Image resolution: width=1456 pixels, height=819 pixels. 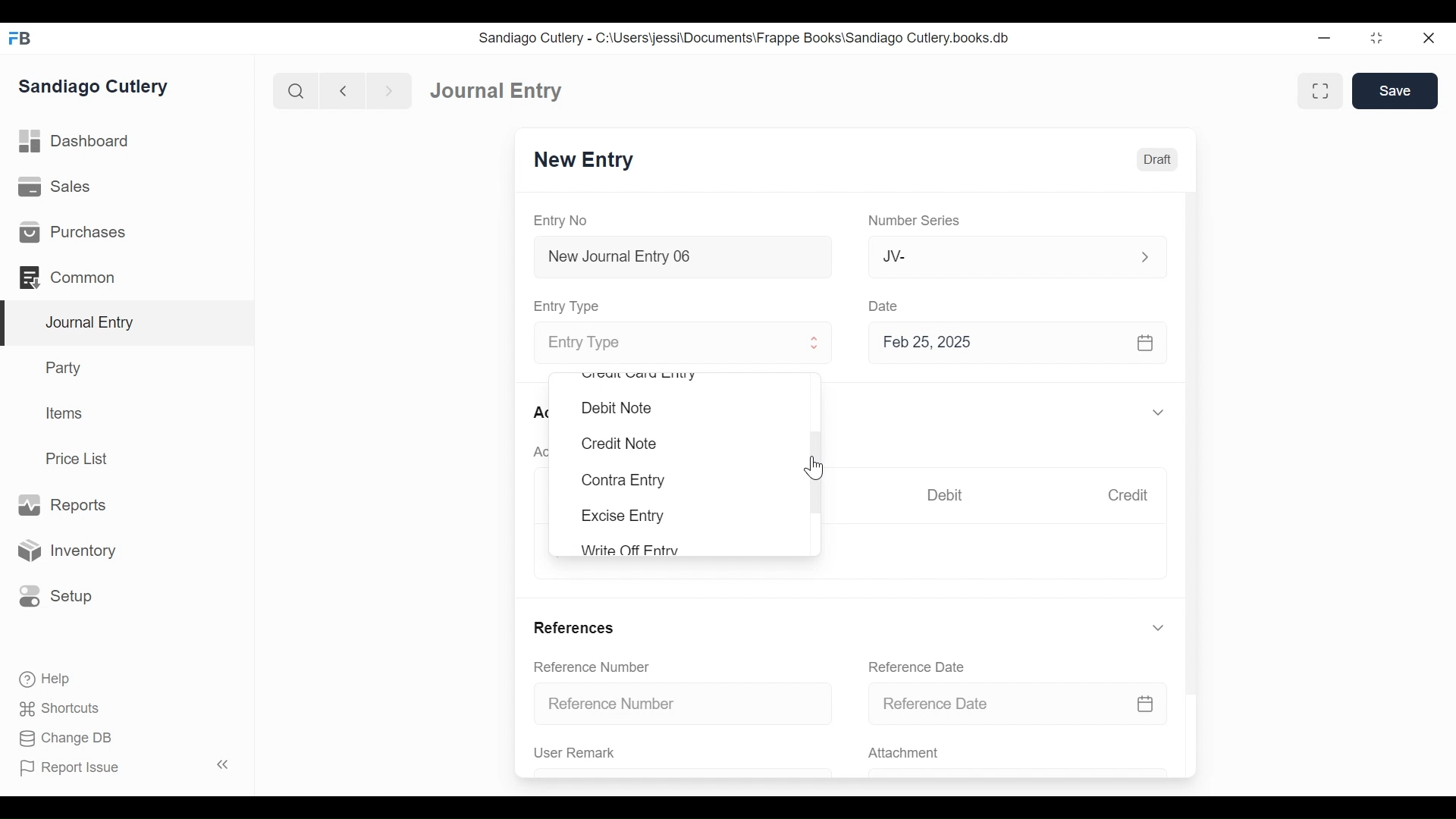 What do you see at coordinates (52, 595) in the screenshot?
I see `Setup` at bounding box center [52, 595].